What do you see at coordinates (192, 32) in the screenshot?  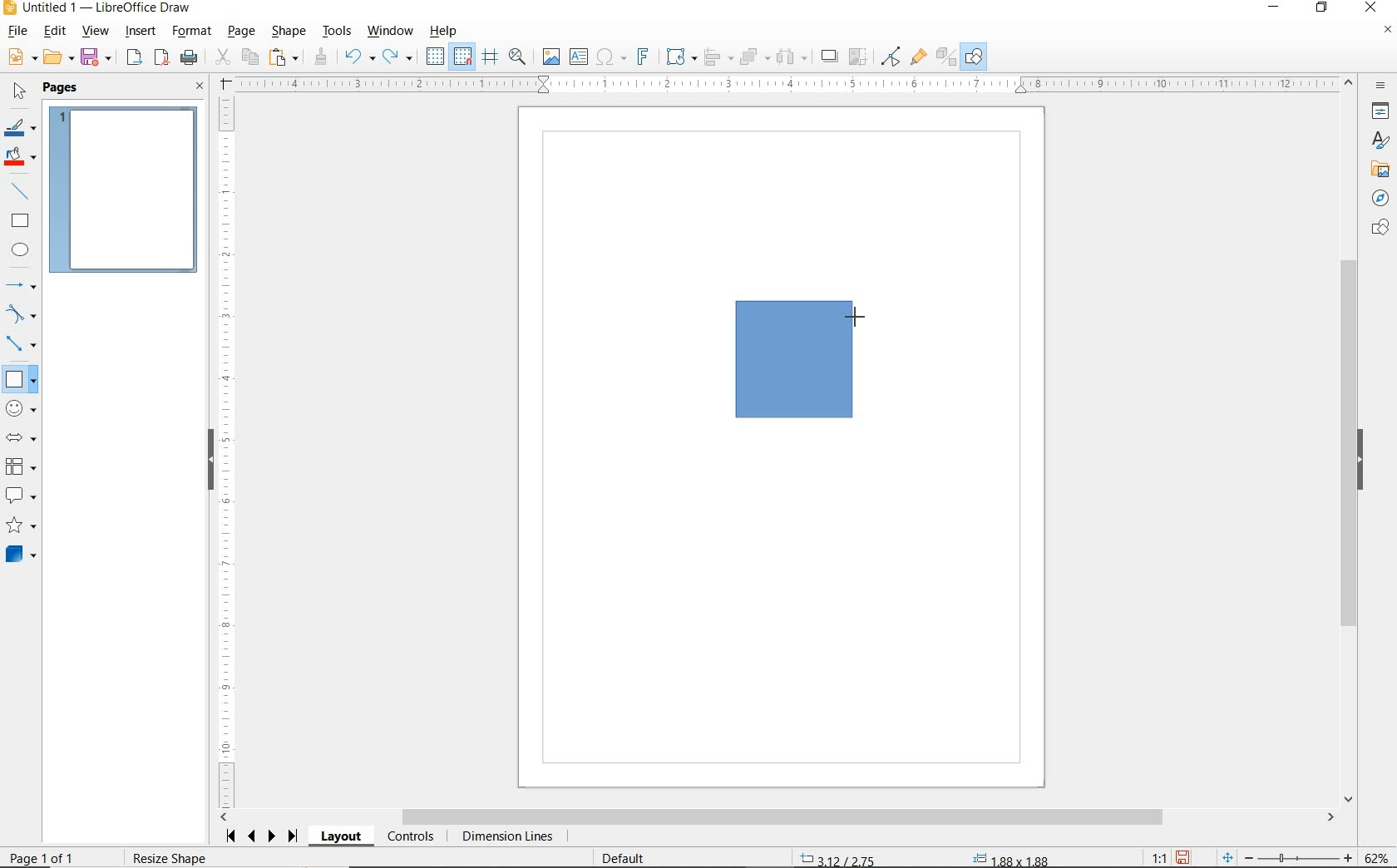 I see `FORMAT` at bounding box center [192, 32].